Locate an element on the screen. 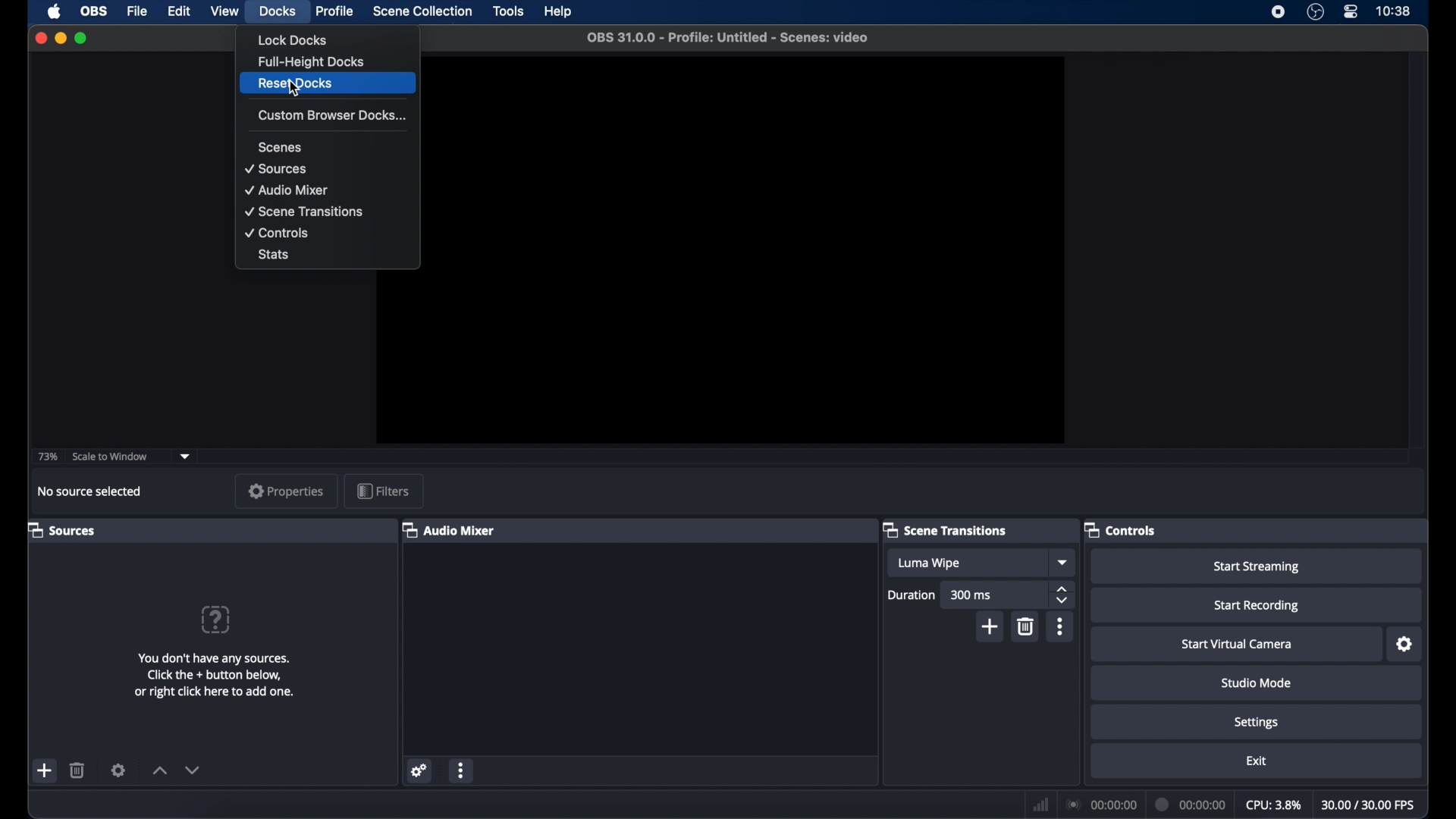 Image resolution: width=1456 pixels, height=819 pixels. add is located at coordinates (45, 770).